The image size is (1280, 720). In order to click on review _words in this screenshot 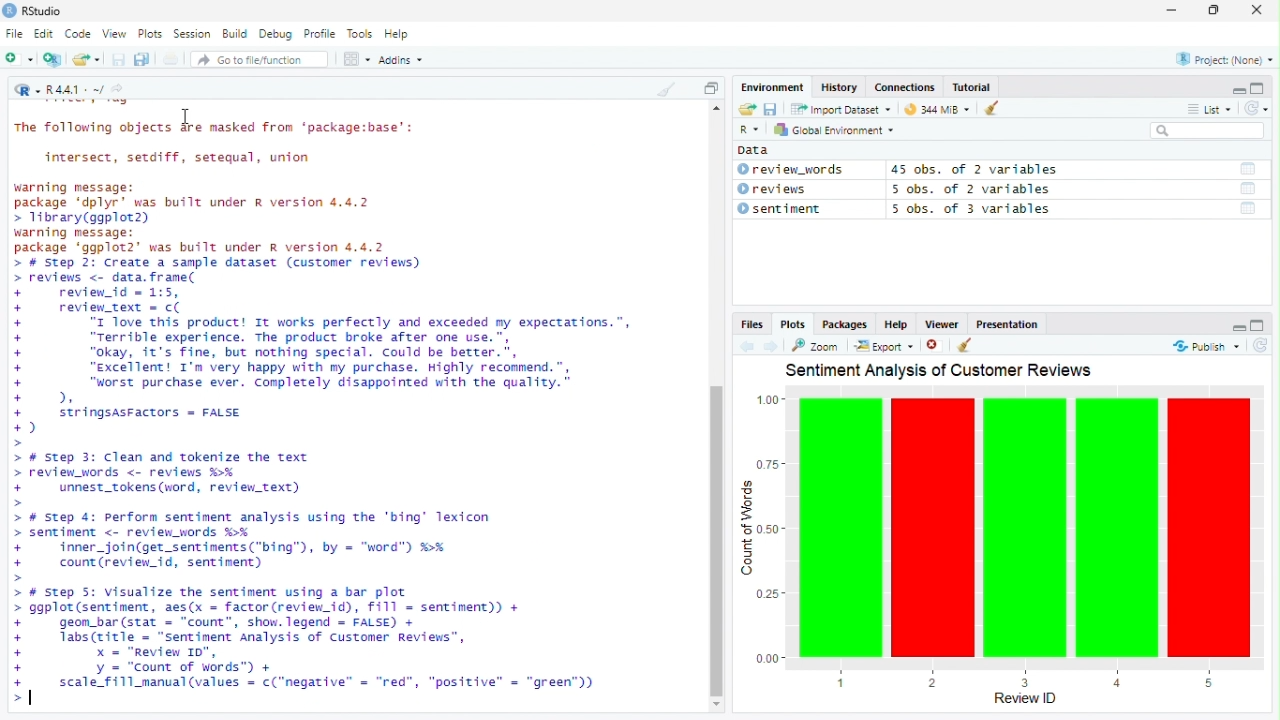, I will do `click(791, 170)`.